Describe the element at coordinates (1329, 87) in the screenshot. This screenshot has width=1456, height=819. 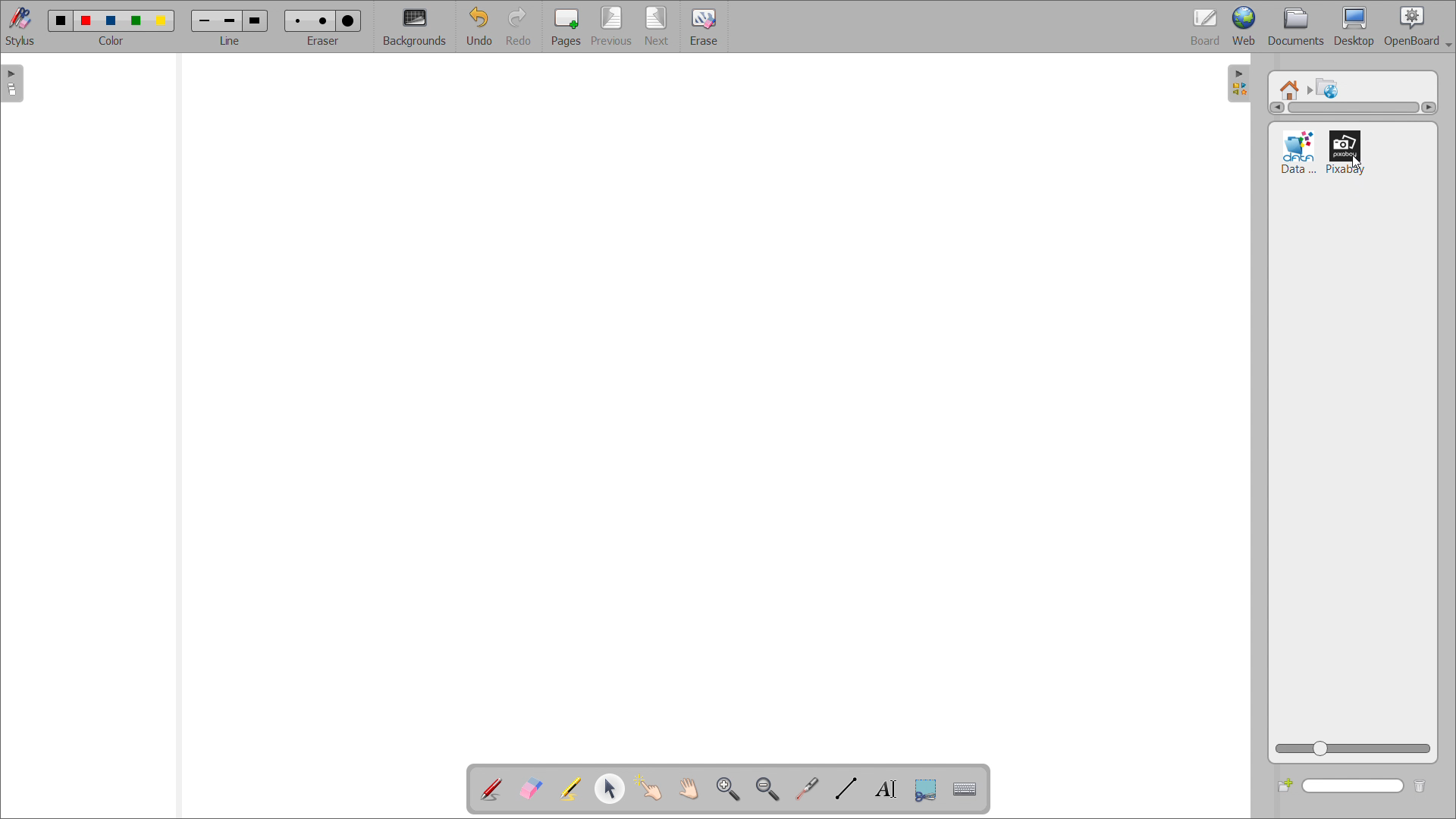
I see `Web search` at that location.